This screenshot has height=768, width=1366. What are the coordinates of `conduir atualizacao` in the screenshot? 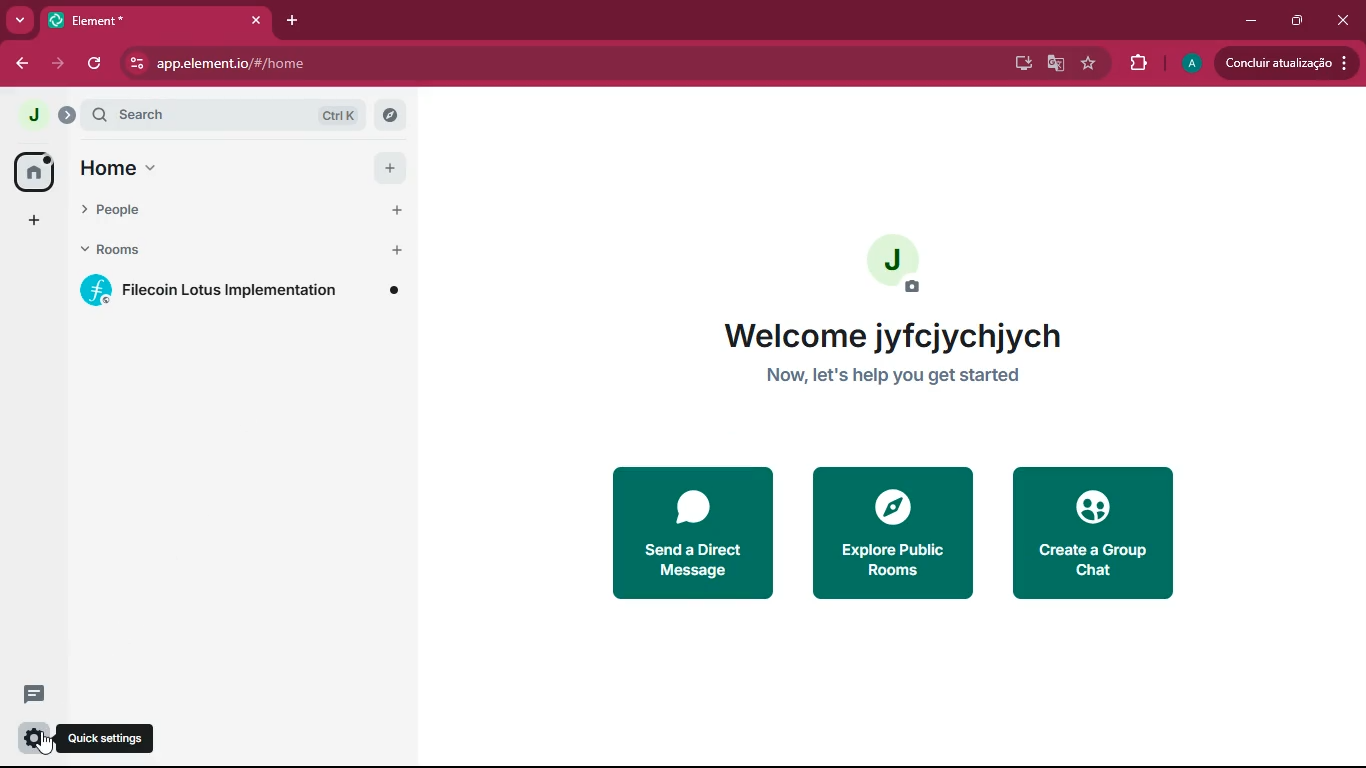 It's located at (1287, 62).